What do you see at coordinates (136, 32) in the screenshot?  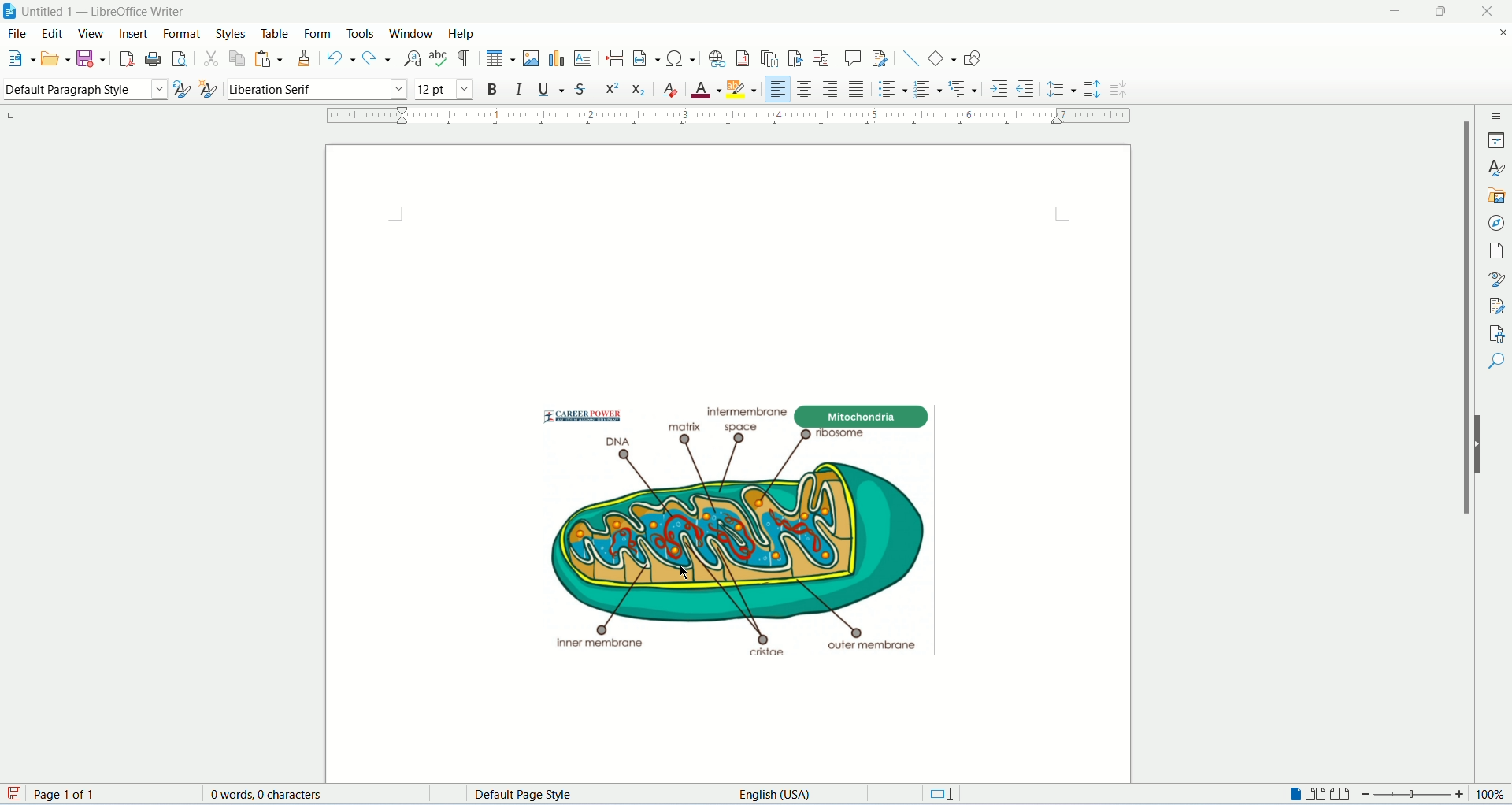 I see `insert` at bounding box center [136, 32].